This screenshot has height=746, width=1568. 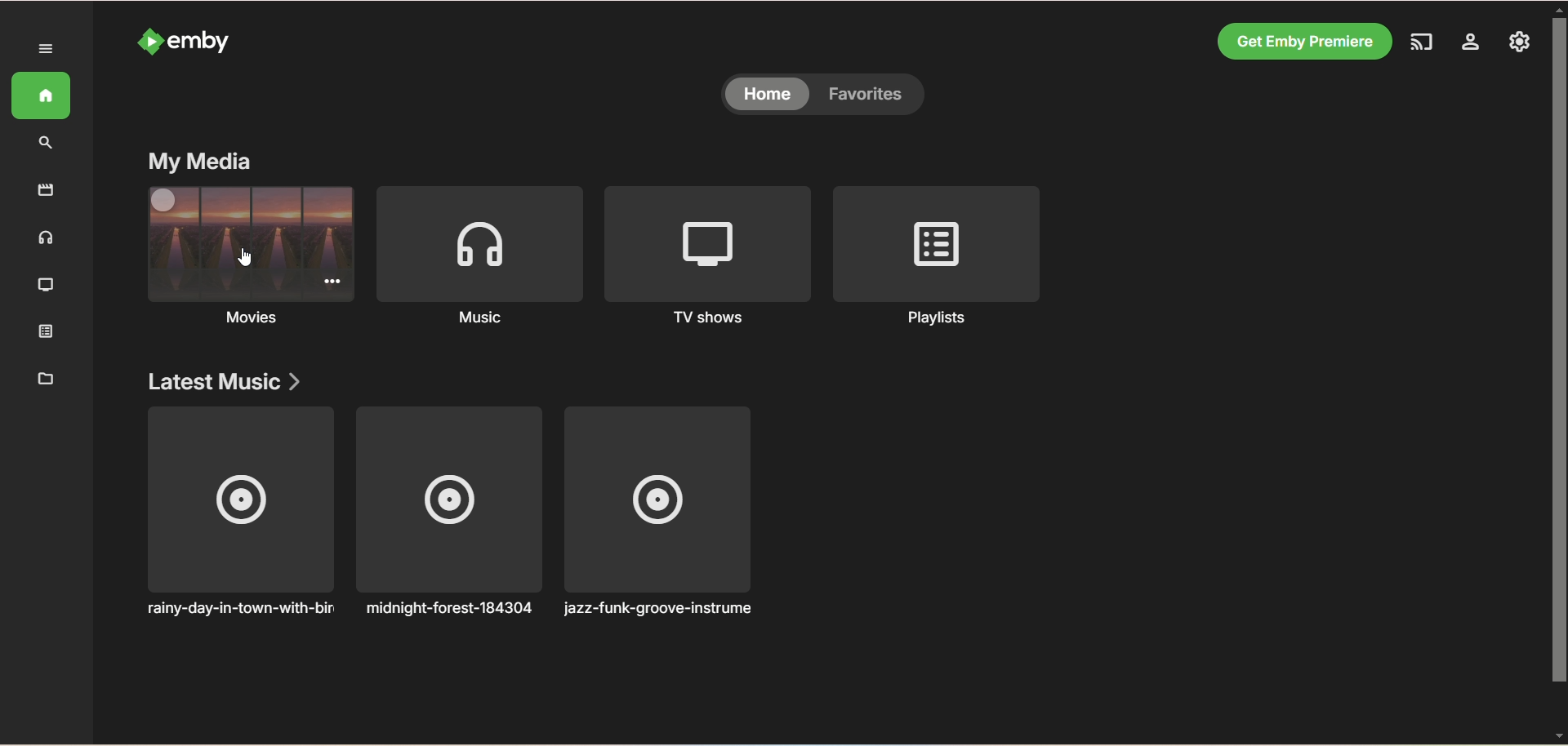 What do you see at coordinates (247, 318) in the screenshot?
I see `movies` at bounding box center [247, 318].